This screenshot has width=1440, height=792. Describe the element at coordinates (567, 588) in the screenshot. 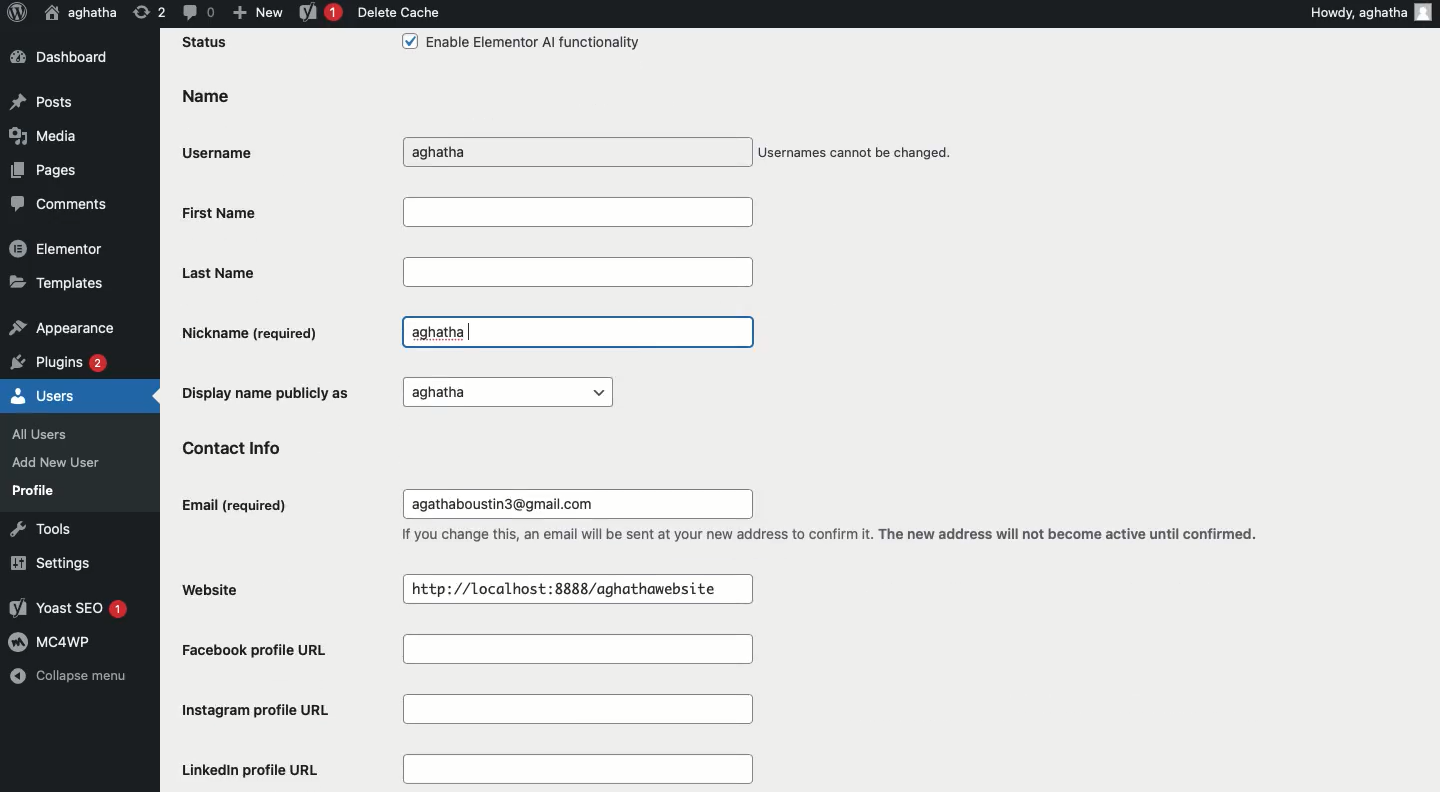

I see `http://localhost:8888/aghathawebsite` at that location.